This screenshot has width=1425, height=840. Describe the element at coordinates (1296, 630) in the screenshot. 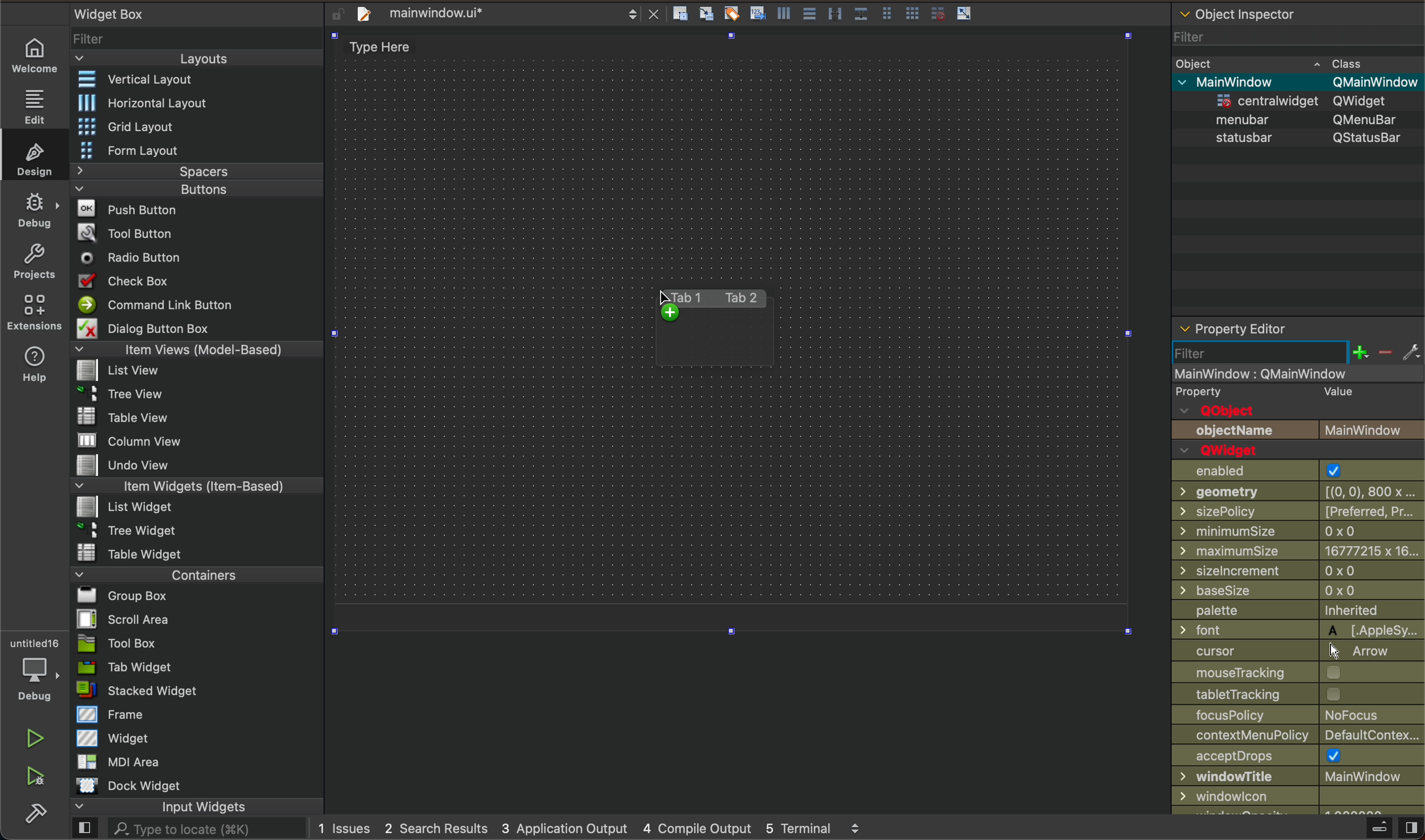

I see `font` at that location.